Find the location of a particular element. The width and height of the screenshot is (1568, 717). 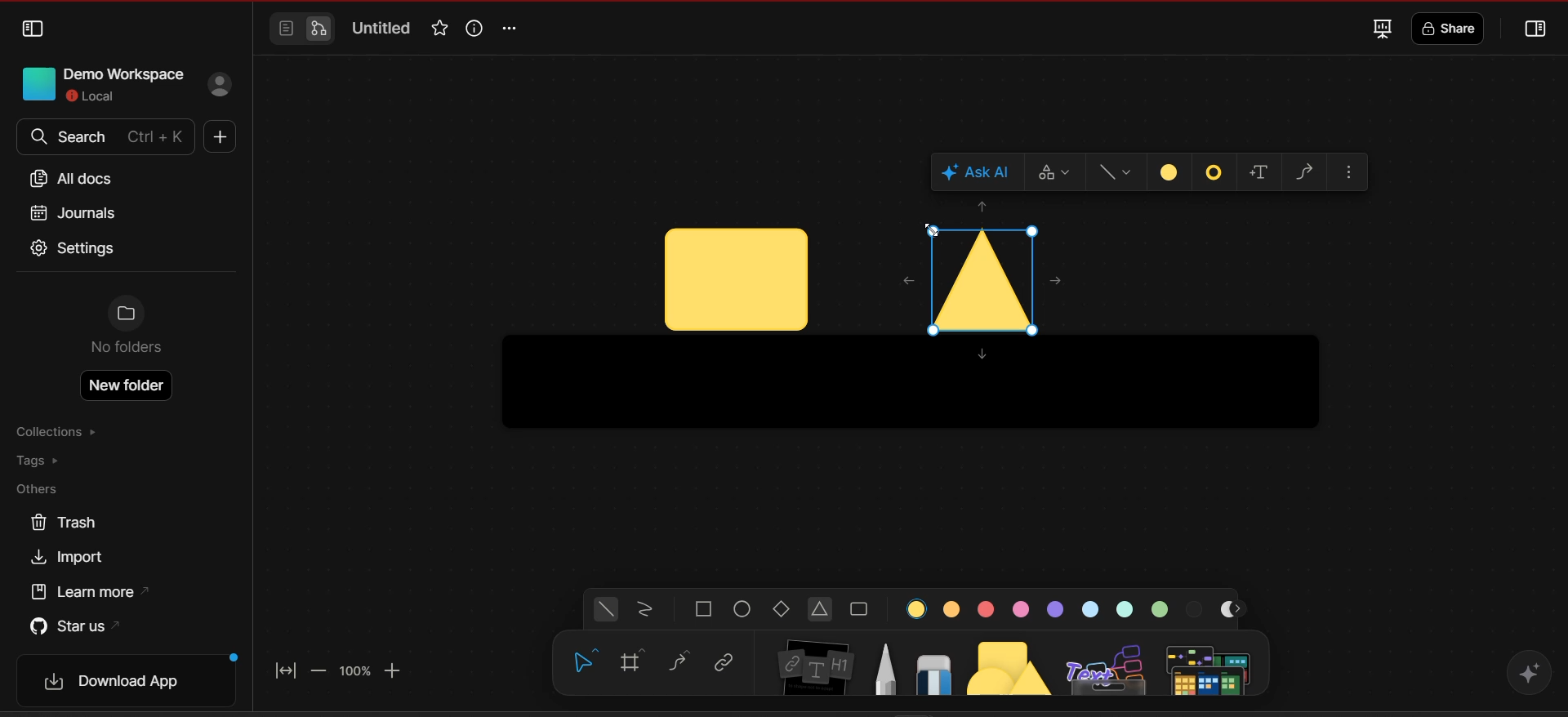

trash is located at coordinates (63, 523).